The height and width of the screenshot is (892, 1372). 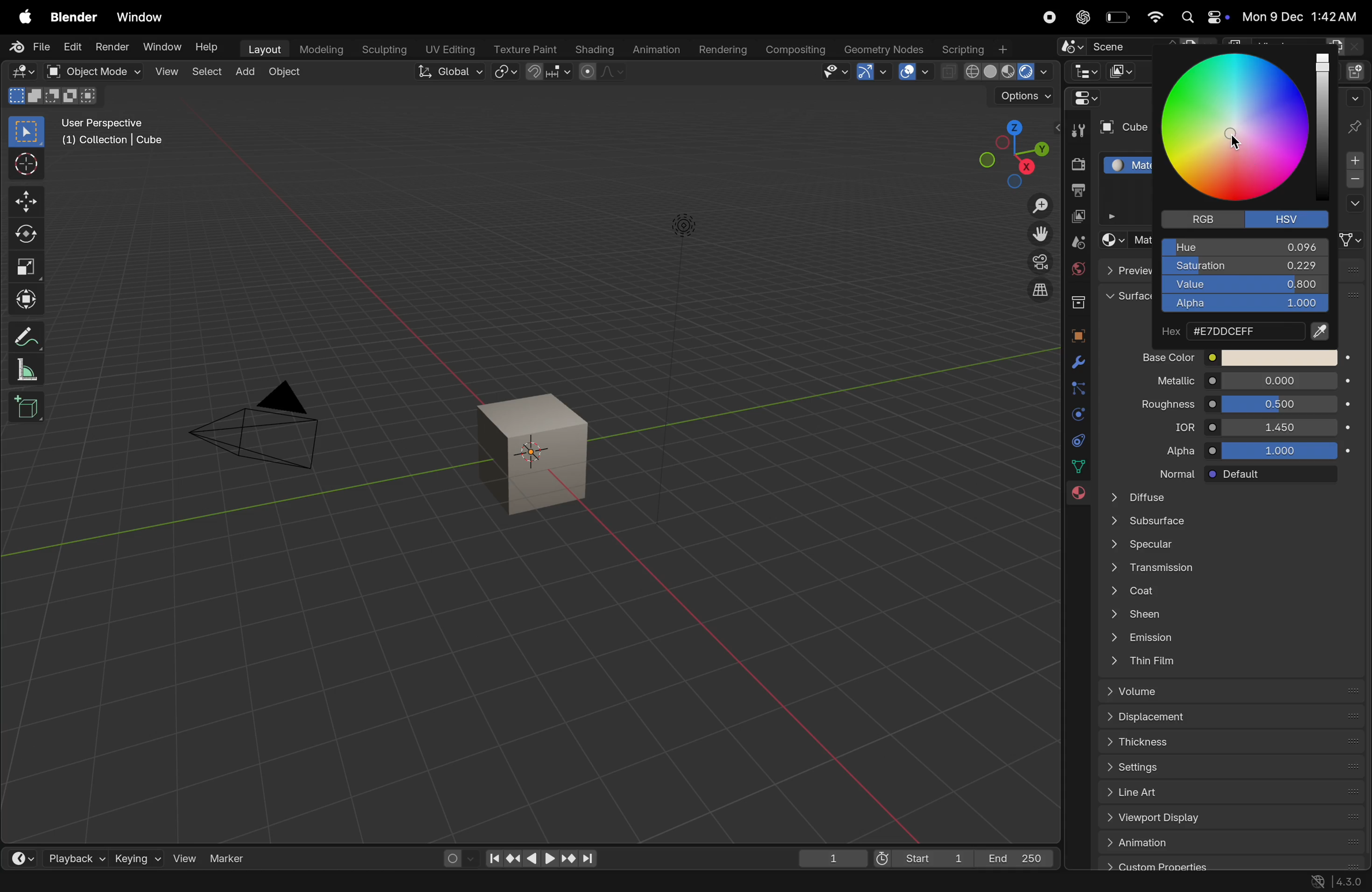 What do you see at coordinates (1225, 523) in the screenshot?
I see `subsurface` at bounding box center [1225, 523].